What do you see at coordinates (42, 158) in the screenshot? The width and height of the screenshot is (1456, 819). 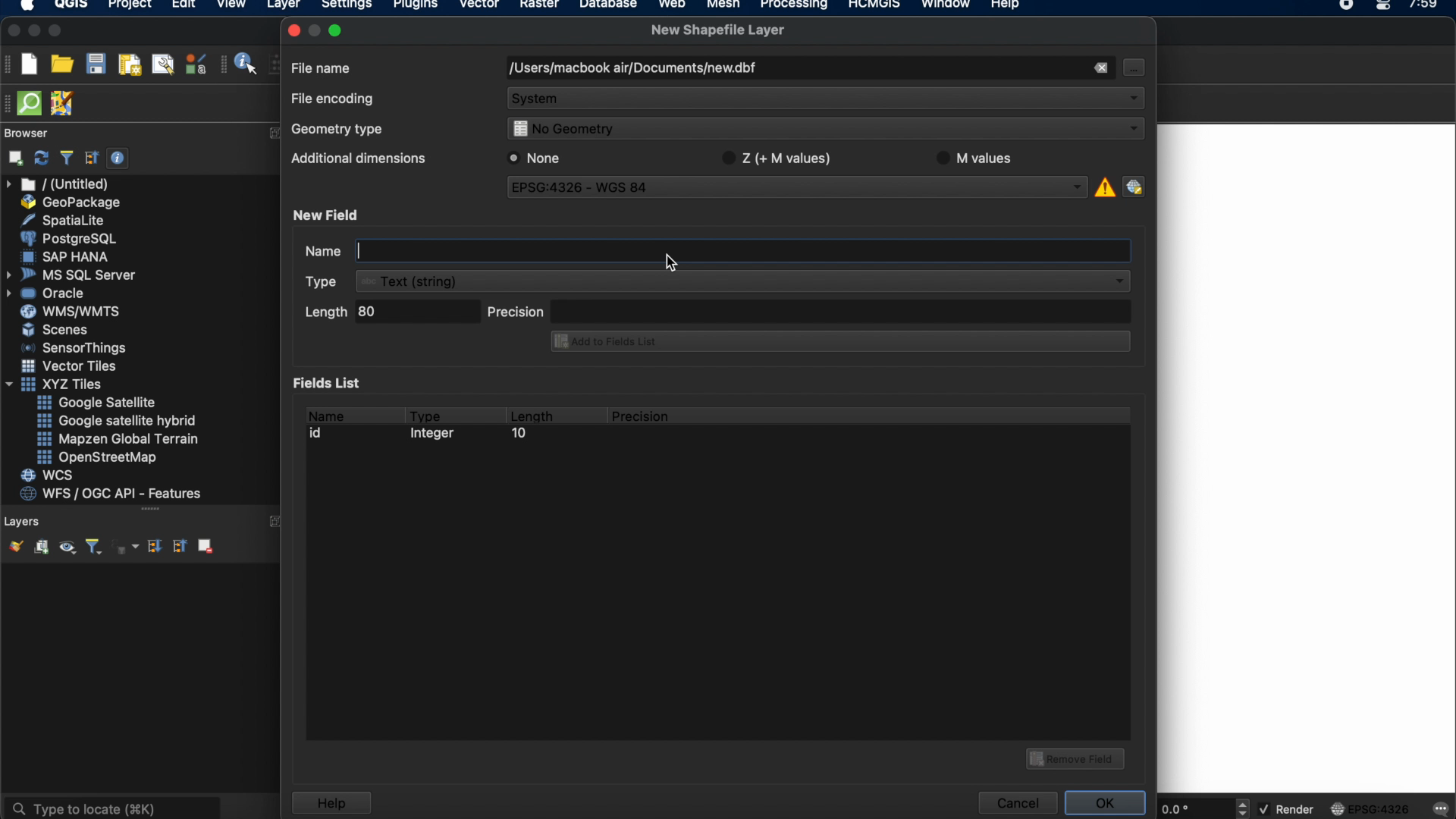 I see `refresh` at bounding box center [42, 158].